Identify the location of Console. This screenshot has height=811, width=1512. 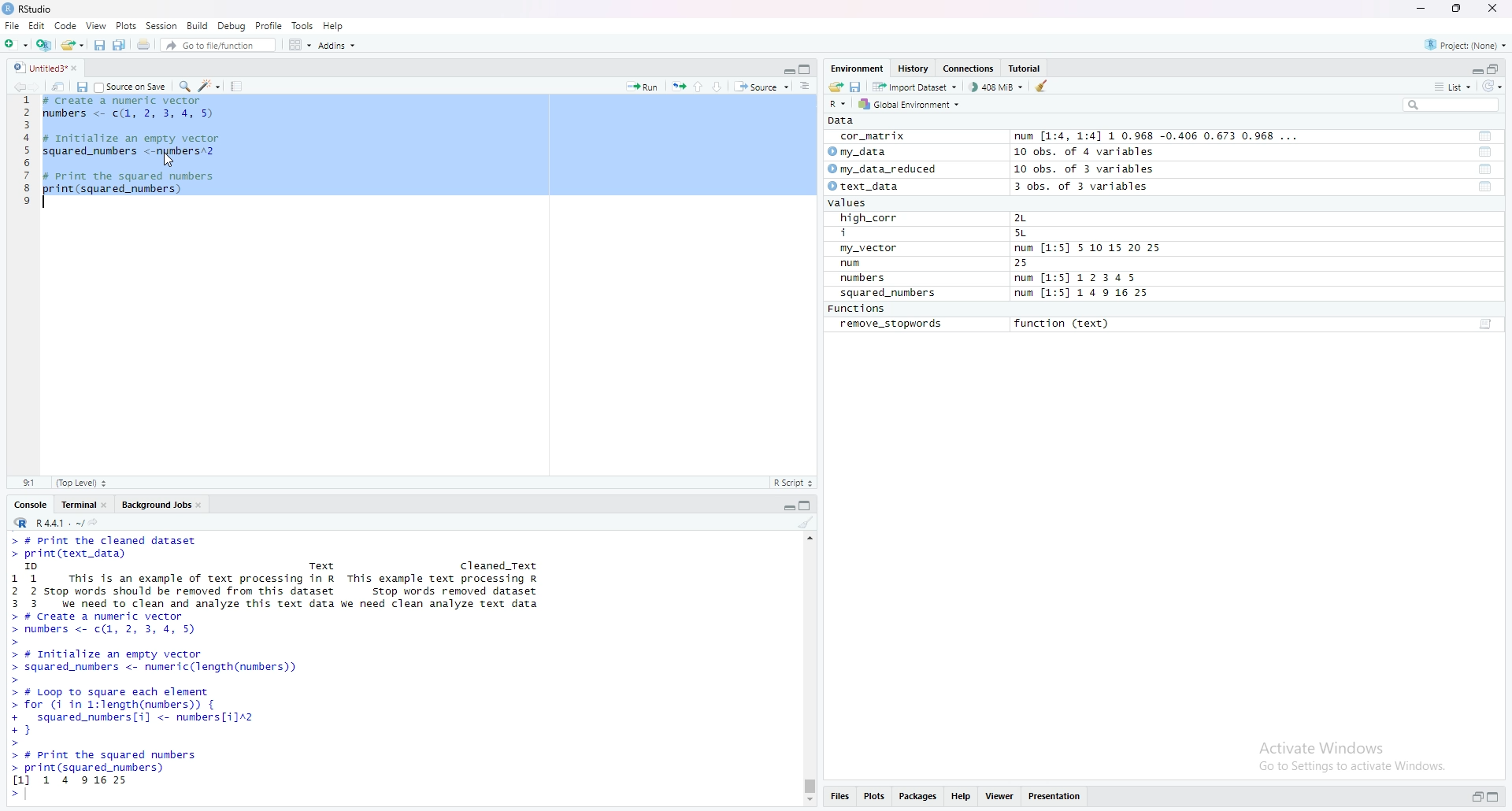
(31, 503).